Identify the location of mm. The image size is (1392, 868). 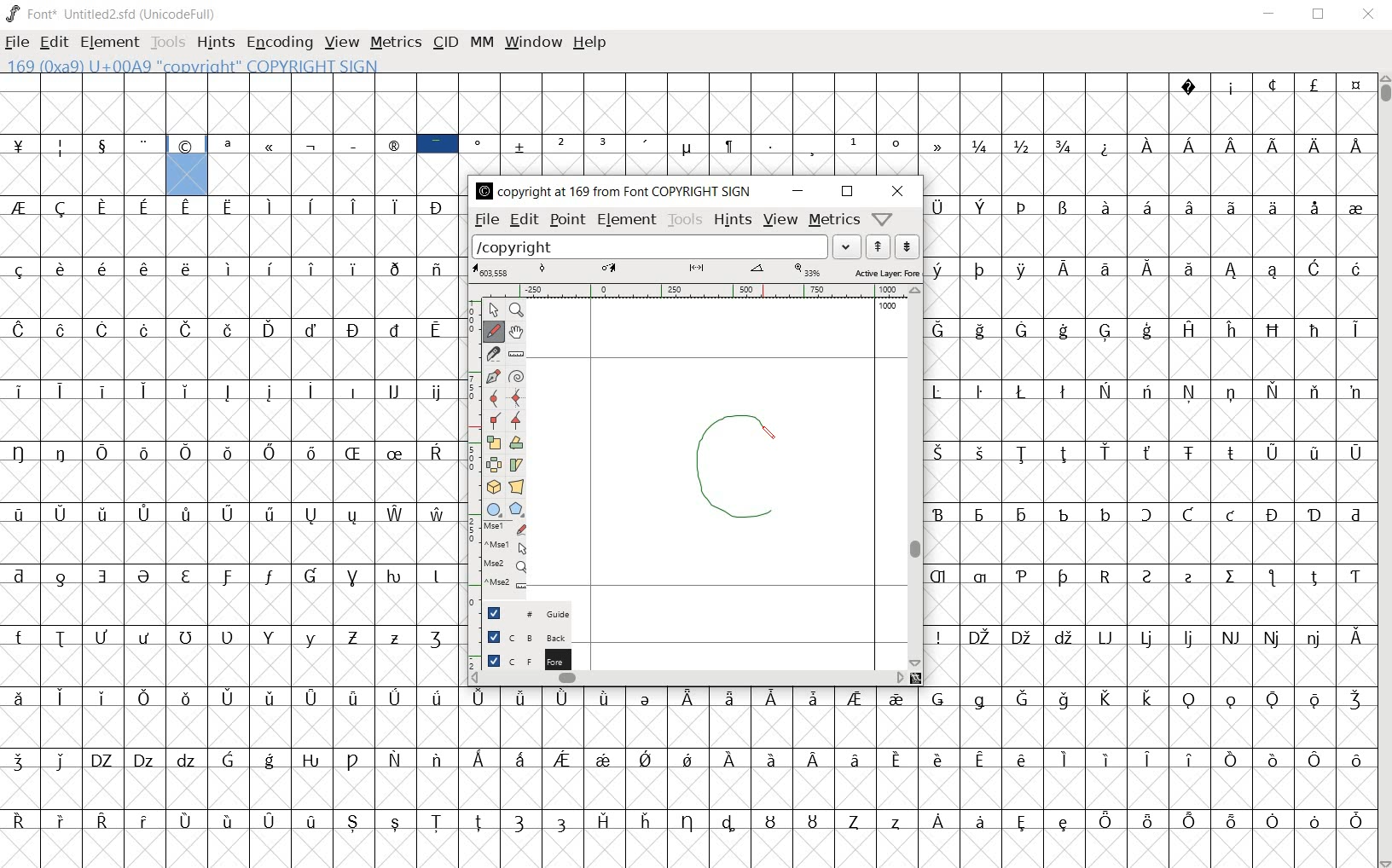
(480, 40).